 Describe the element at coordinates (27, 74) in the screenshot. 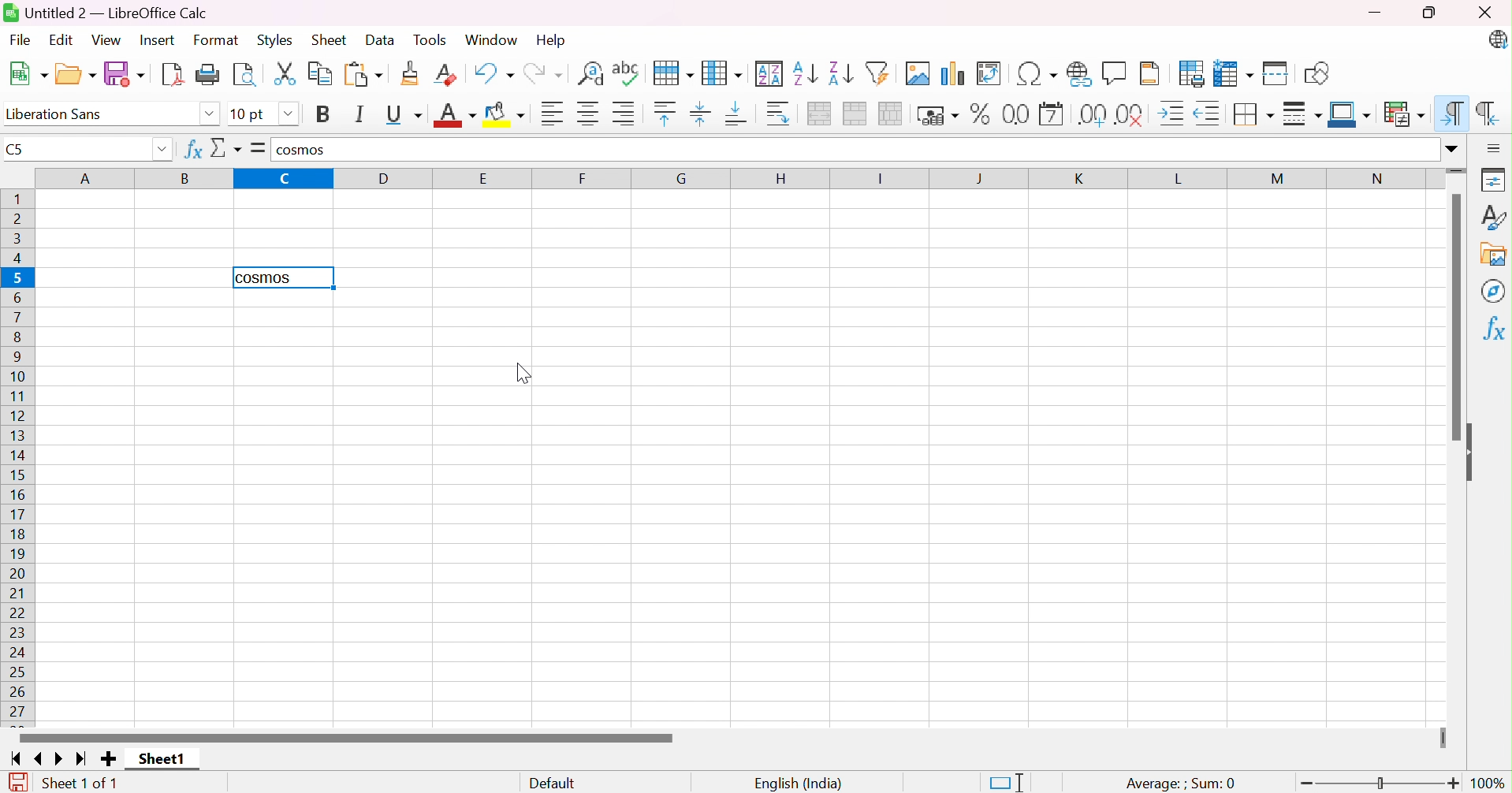

I see `New` at that location.